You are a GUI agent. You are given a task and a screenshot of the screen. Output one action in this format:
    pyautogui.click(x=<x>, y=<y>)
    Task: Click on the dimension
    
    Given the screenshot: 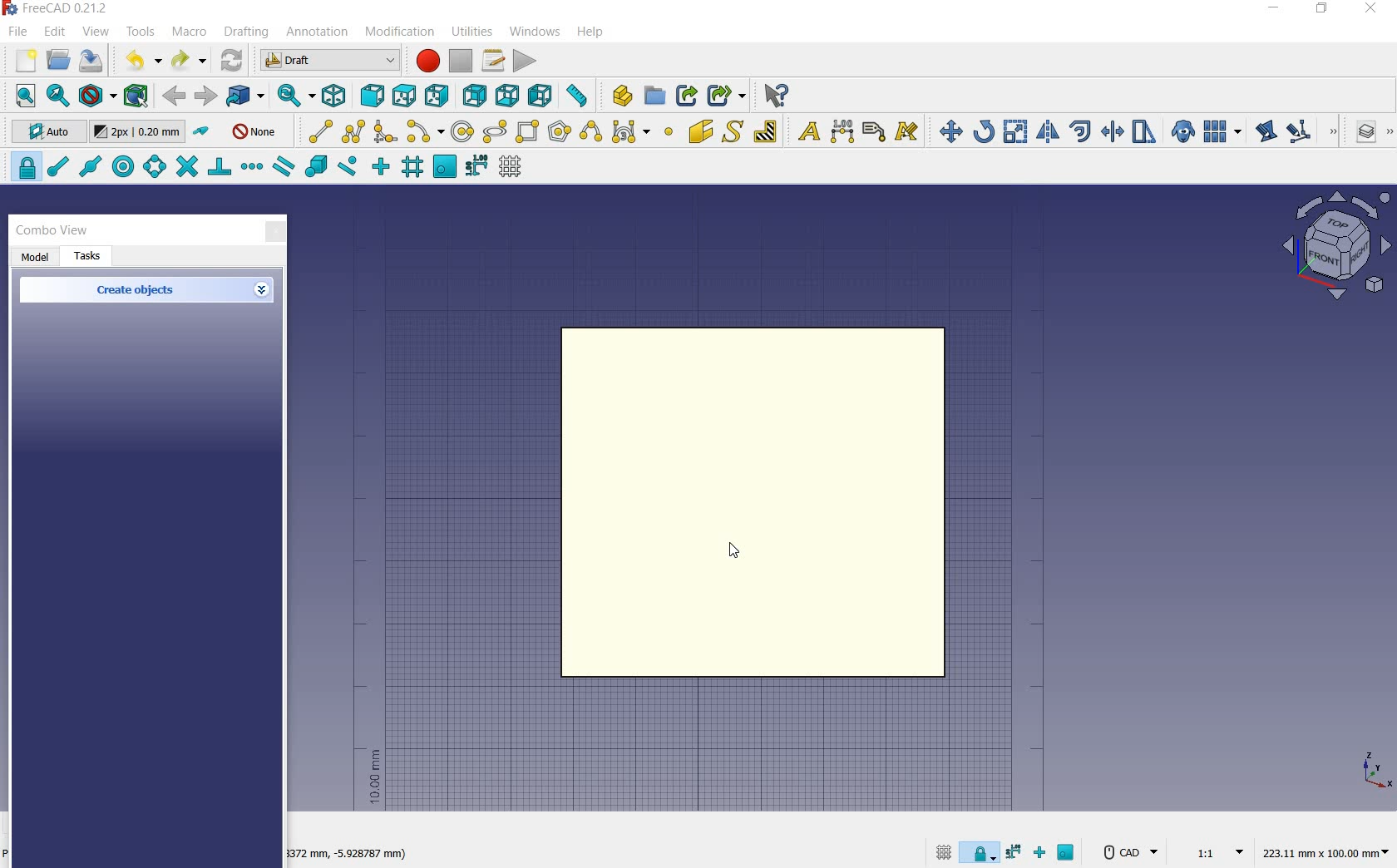 What is the action you would take?
    pyautogui.click(x=1330, y=854)
    